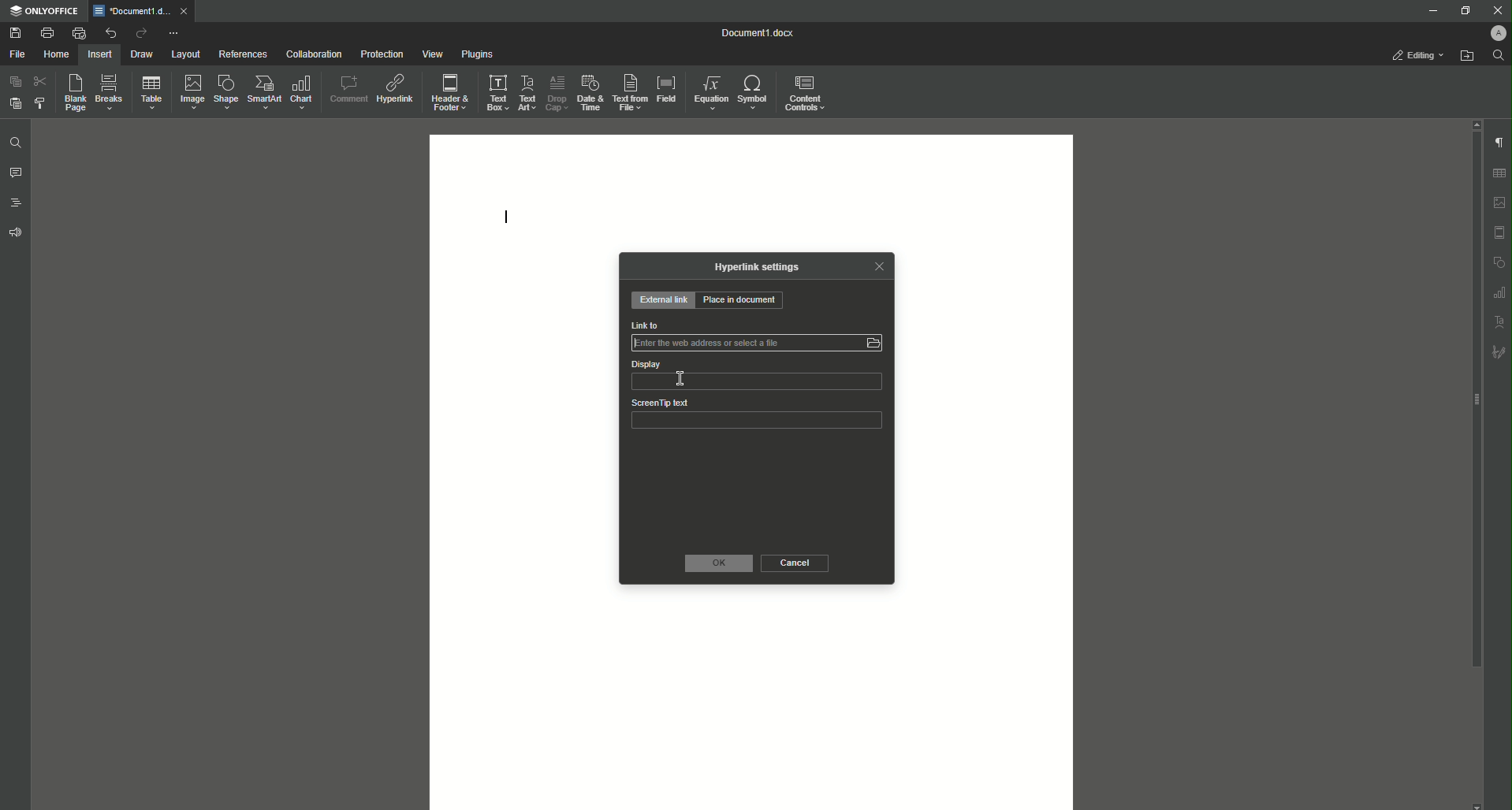  What do you see at coordinates (433, 54) in the screenshot?
I see `View` at bounding box center [433, 54].